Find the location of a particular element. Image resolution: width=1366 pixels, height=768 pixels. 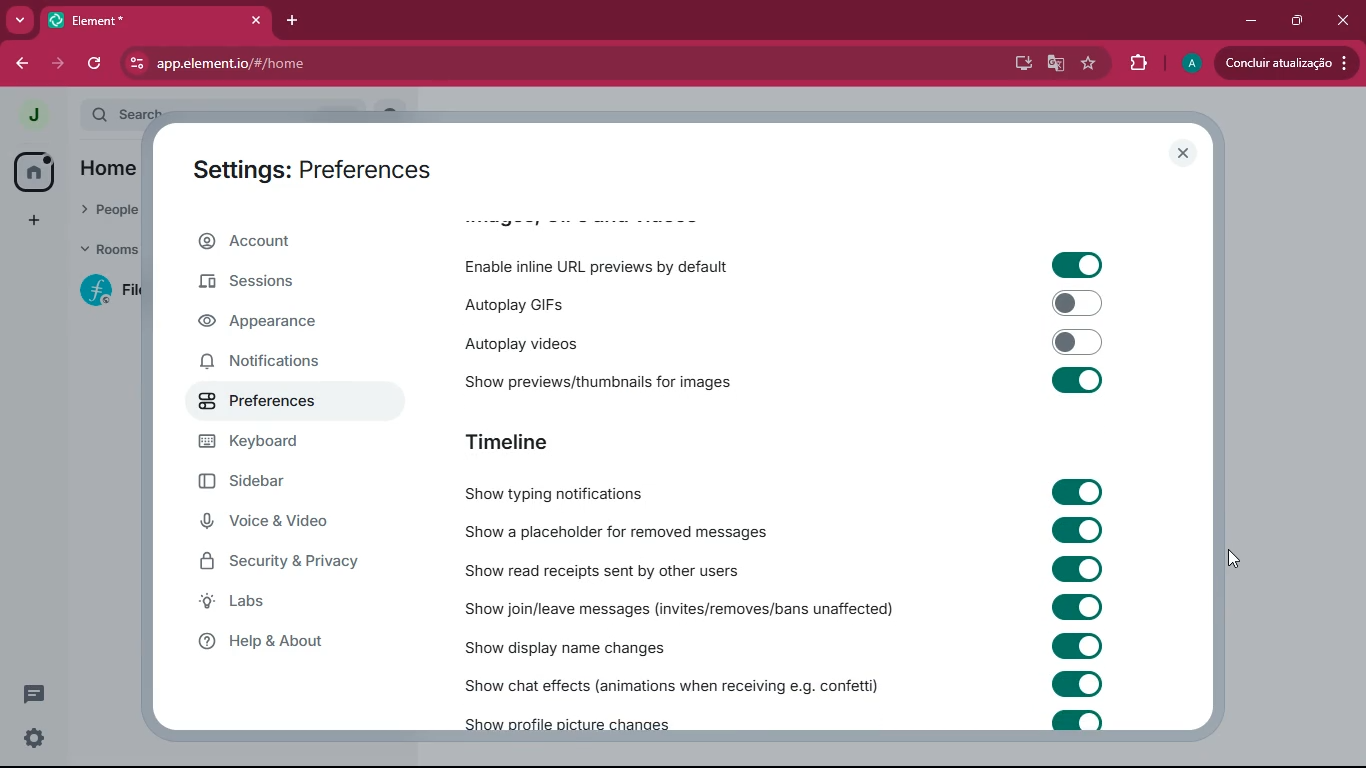

voice & video is located at coordinates (270, 524).